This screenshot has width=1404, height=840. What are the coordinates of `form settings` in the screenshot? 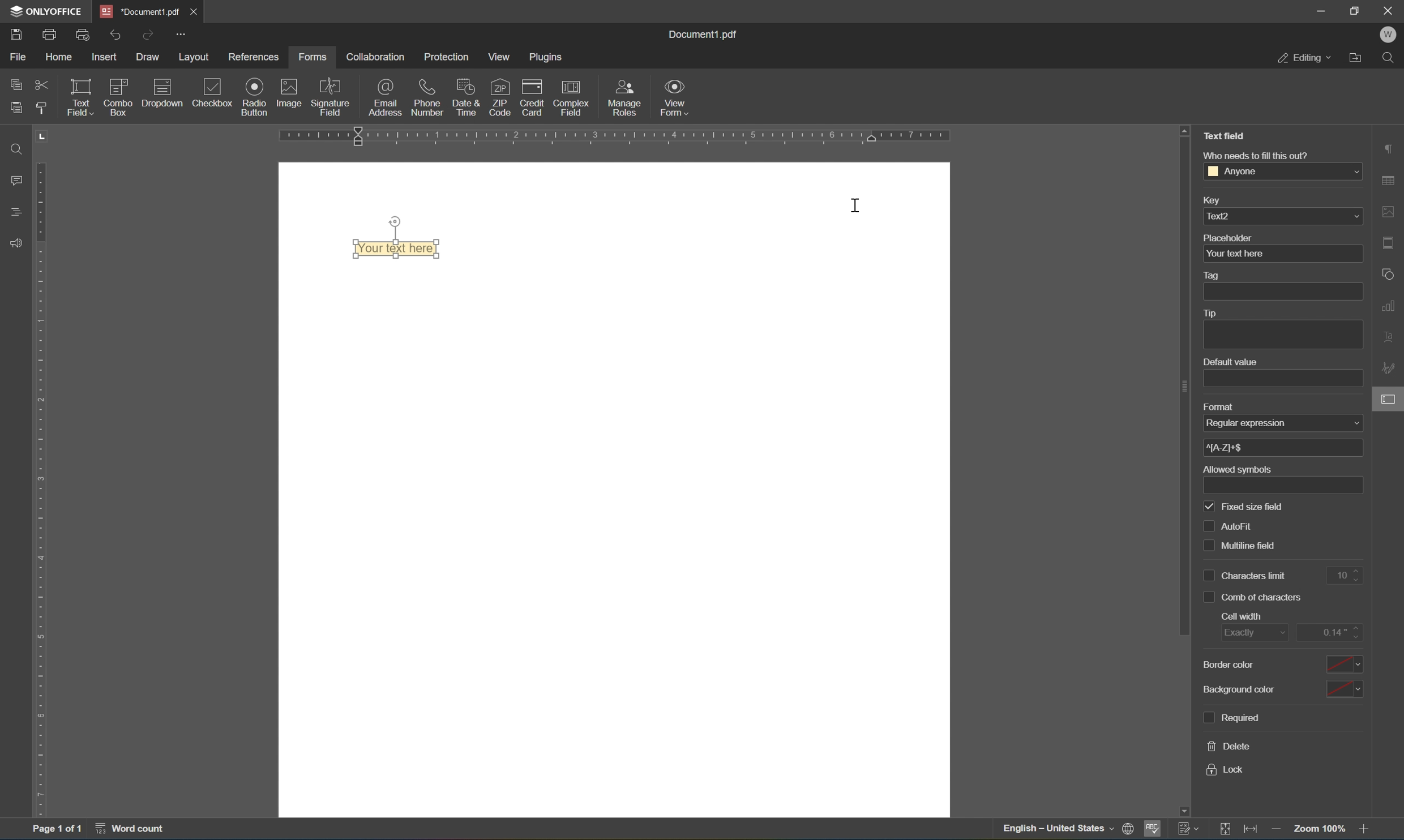 It's located at (1389, 404).